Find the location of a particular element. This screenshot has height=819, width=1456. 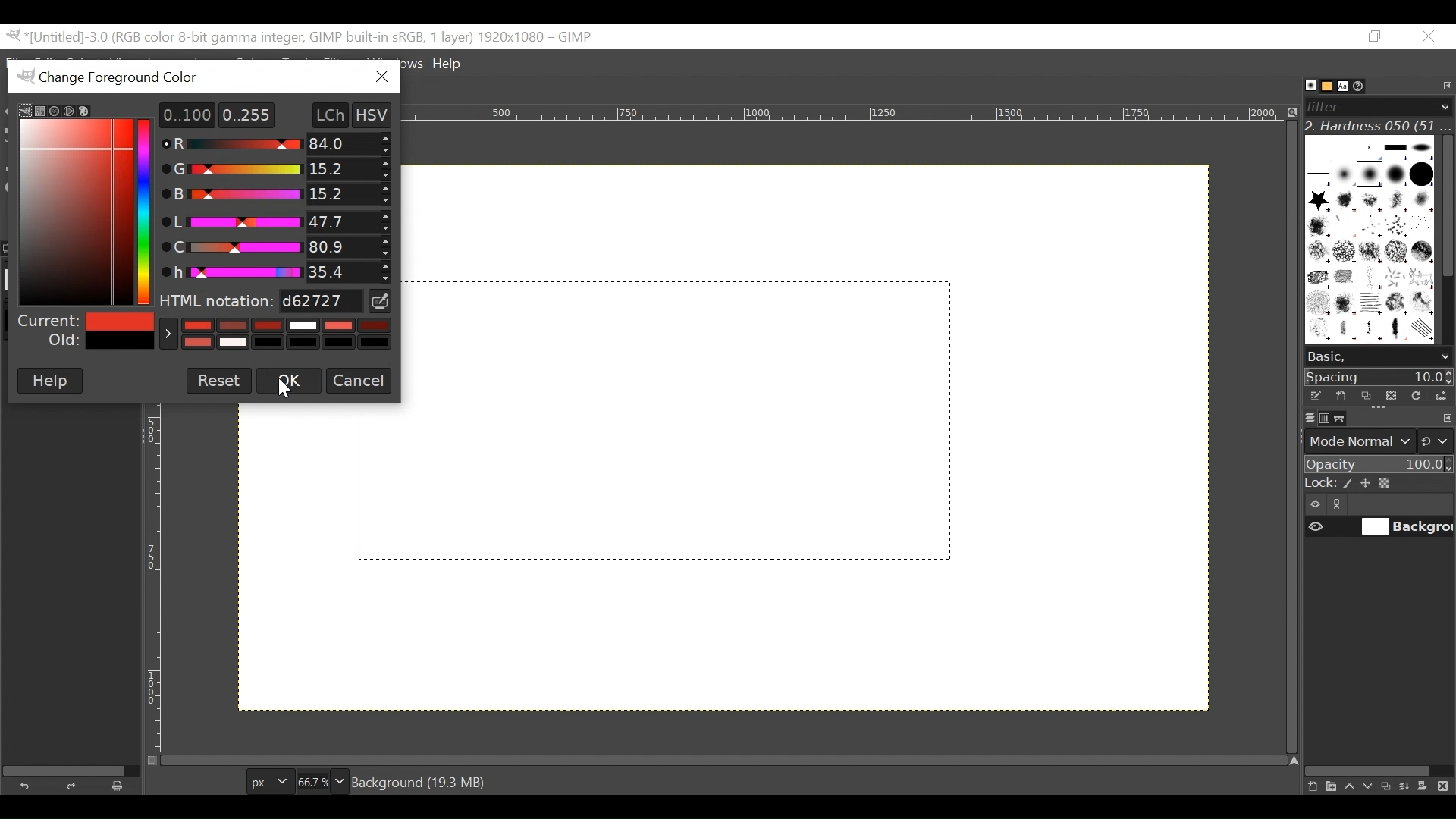

mode normal is located at coordinates (1377, 440).